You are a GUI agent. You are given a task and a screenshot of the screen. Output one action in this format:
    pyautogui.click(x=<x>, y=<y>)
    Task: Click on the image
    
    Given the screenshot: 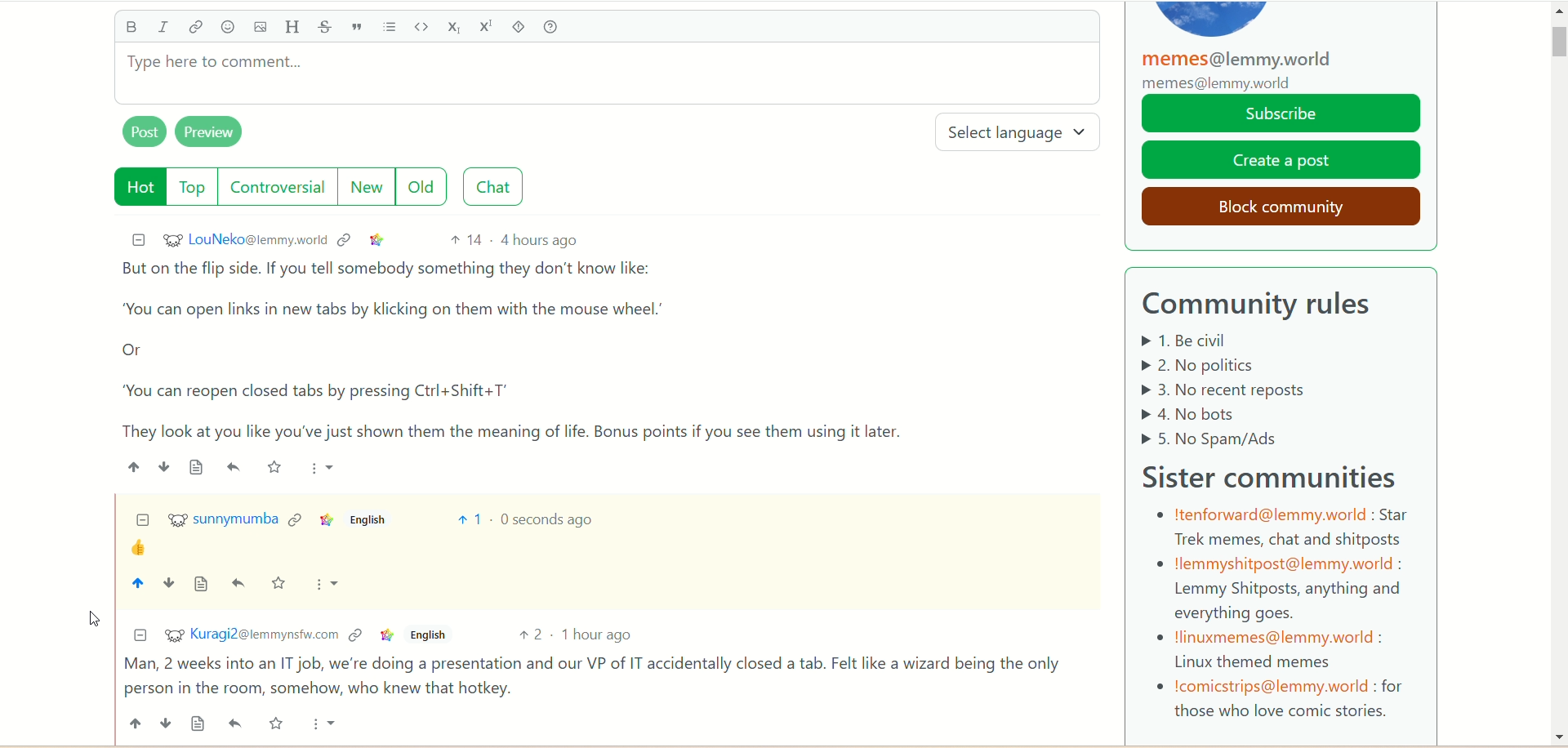 What is the action you would take?
    pyautogui.click(x=259, y=29)
    